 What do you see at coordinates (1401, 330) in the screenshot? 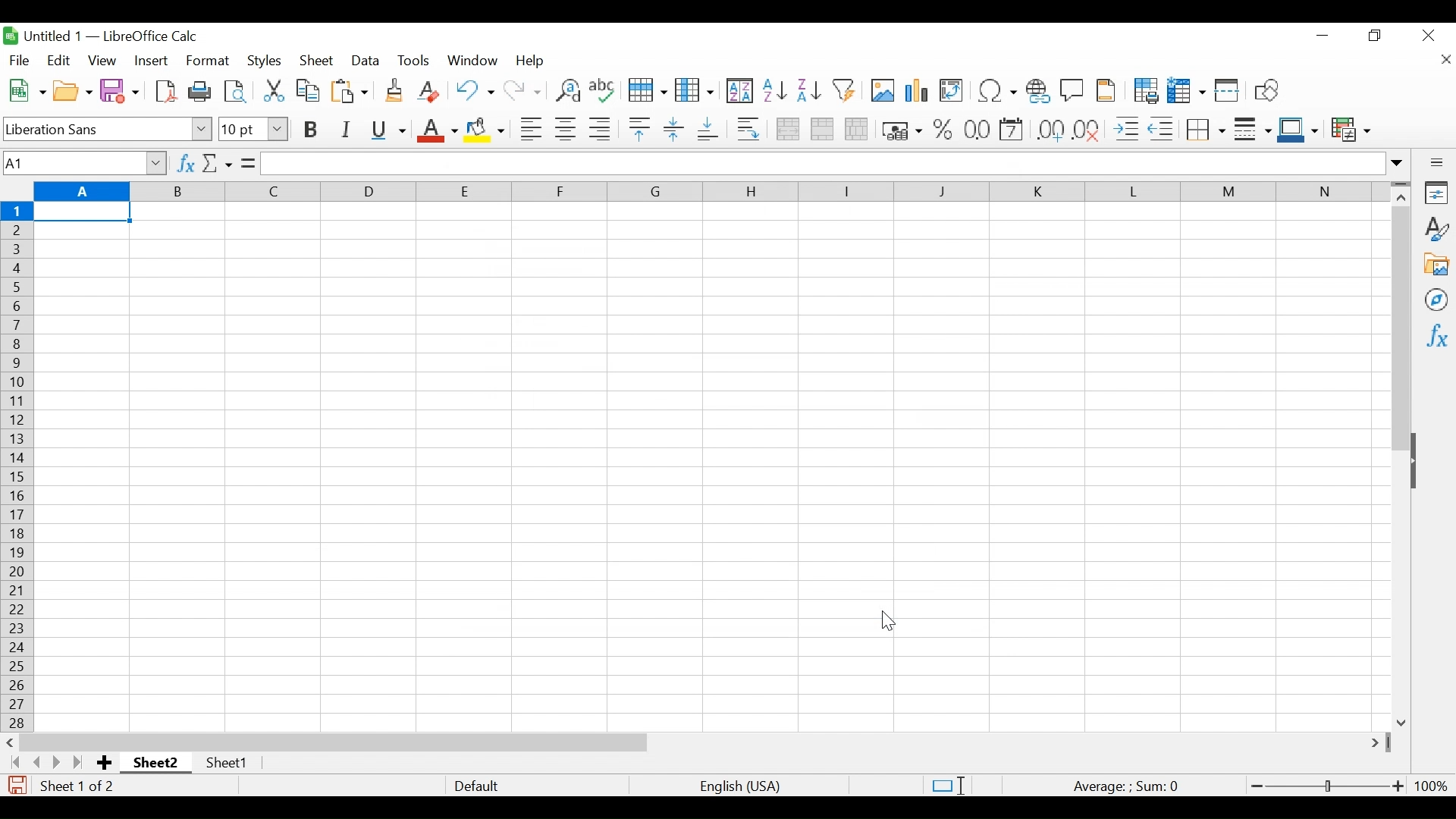
I see `Vertical Scroll bar` at bounding box center [1401, 330].